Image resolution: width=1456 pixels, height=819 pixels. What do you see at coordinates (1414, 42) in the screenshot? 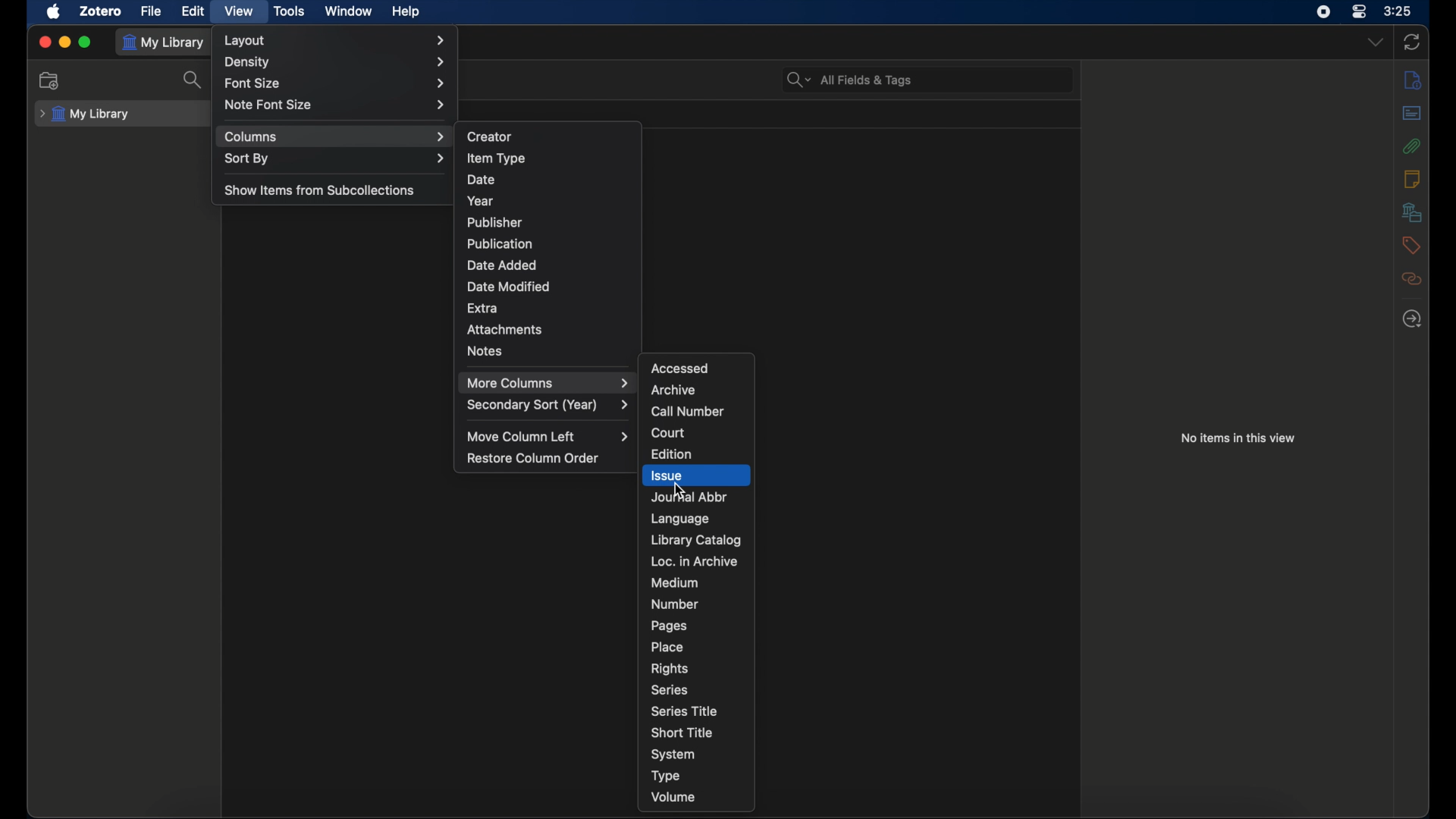
I see `sync` at bounding box center [1414, 42].